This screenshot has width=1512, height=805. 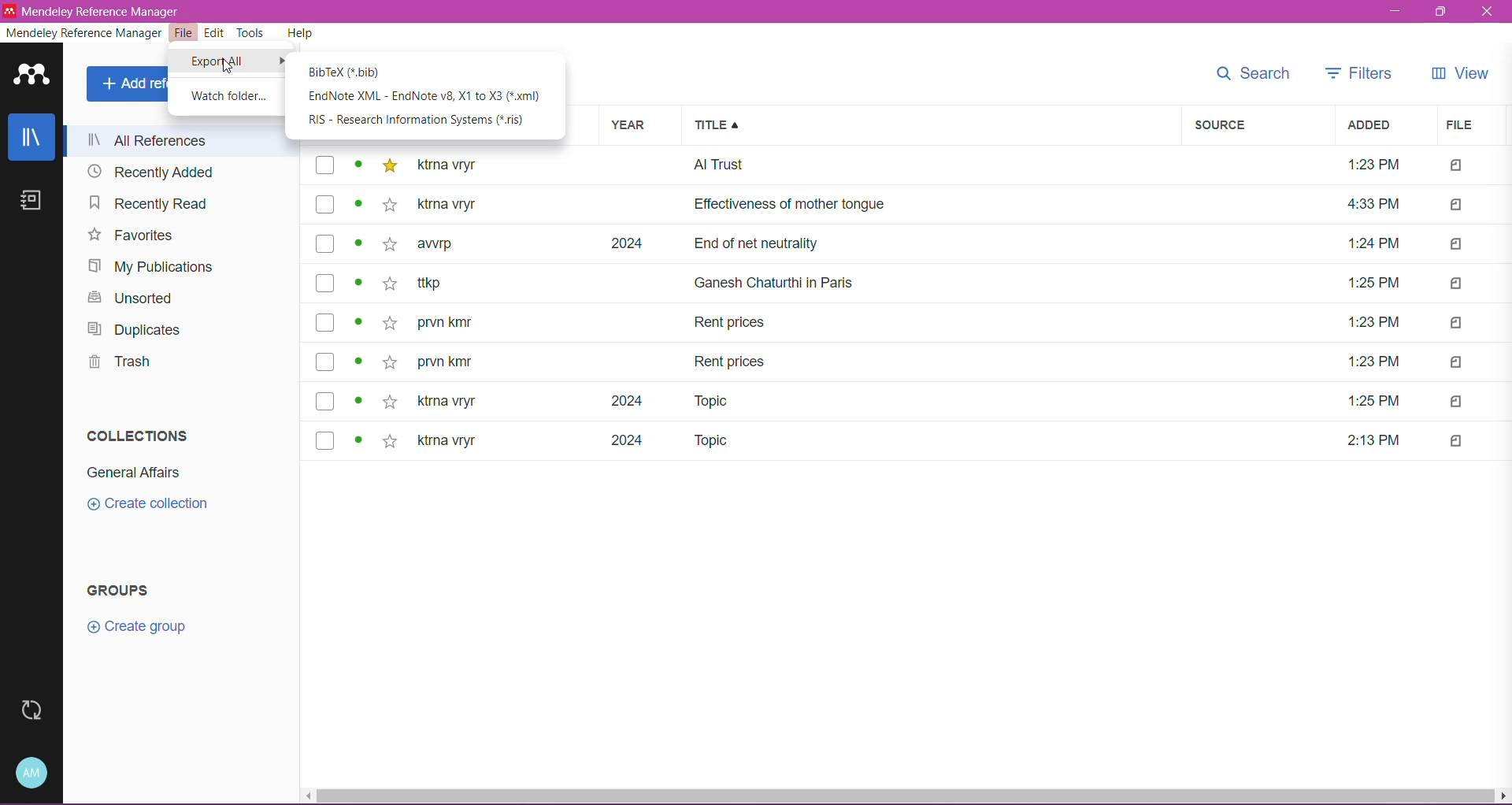 What do you see at coordinates (35, 203) in the screenshot?
I see `Notes` at bounding box center [35, 203].